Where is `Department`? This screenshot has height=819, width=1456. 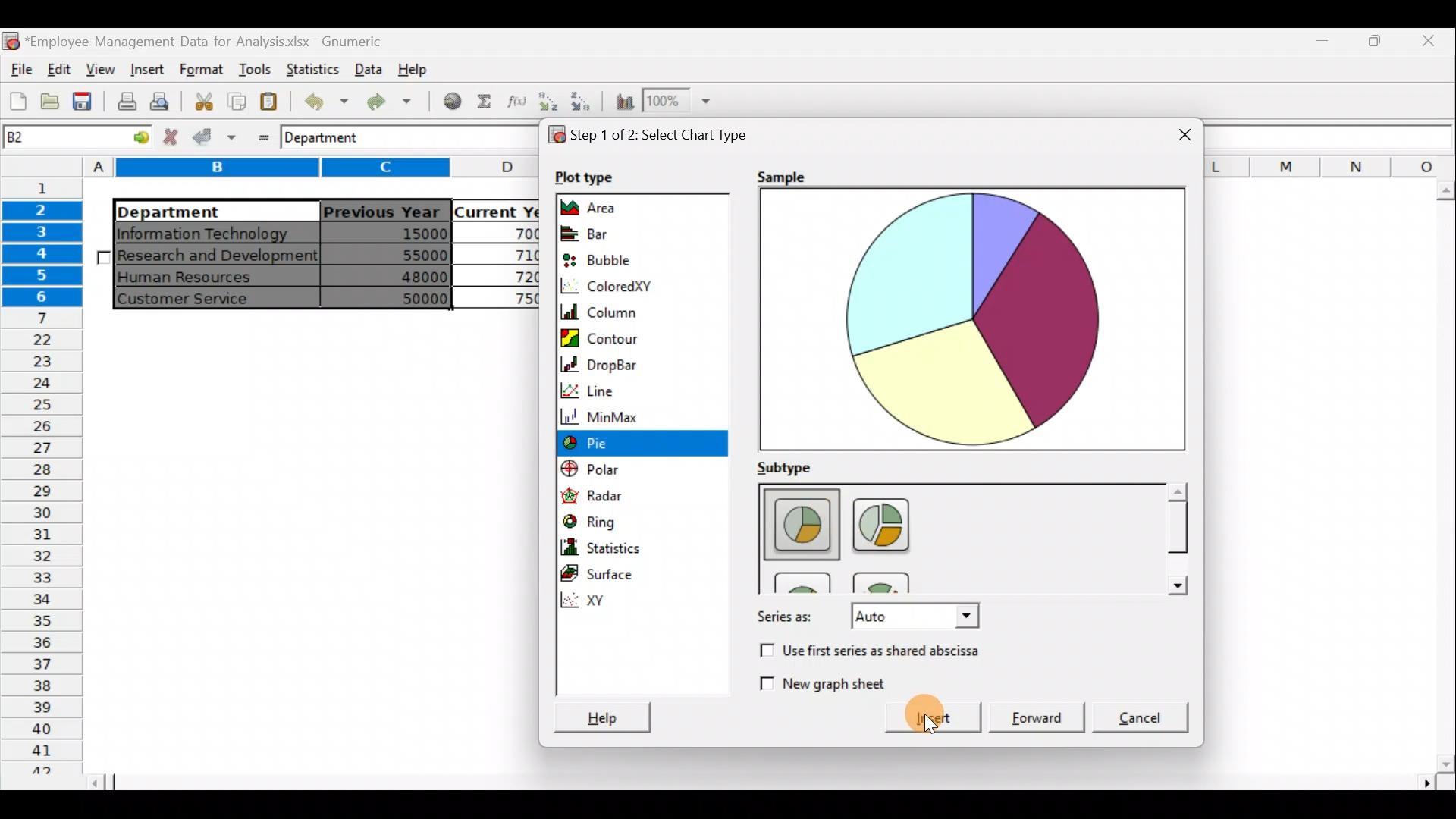
Department is located at coordinates (334, 139).